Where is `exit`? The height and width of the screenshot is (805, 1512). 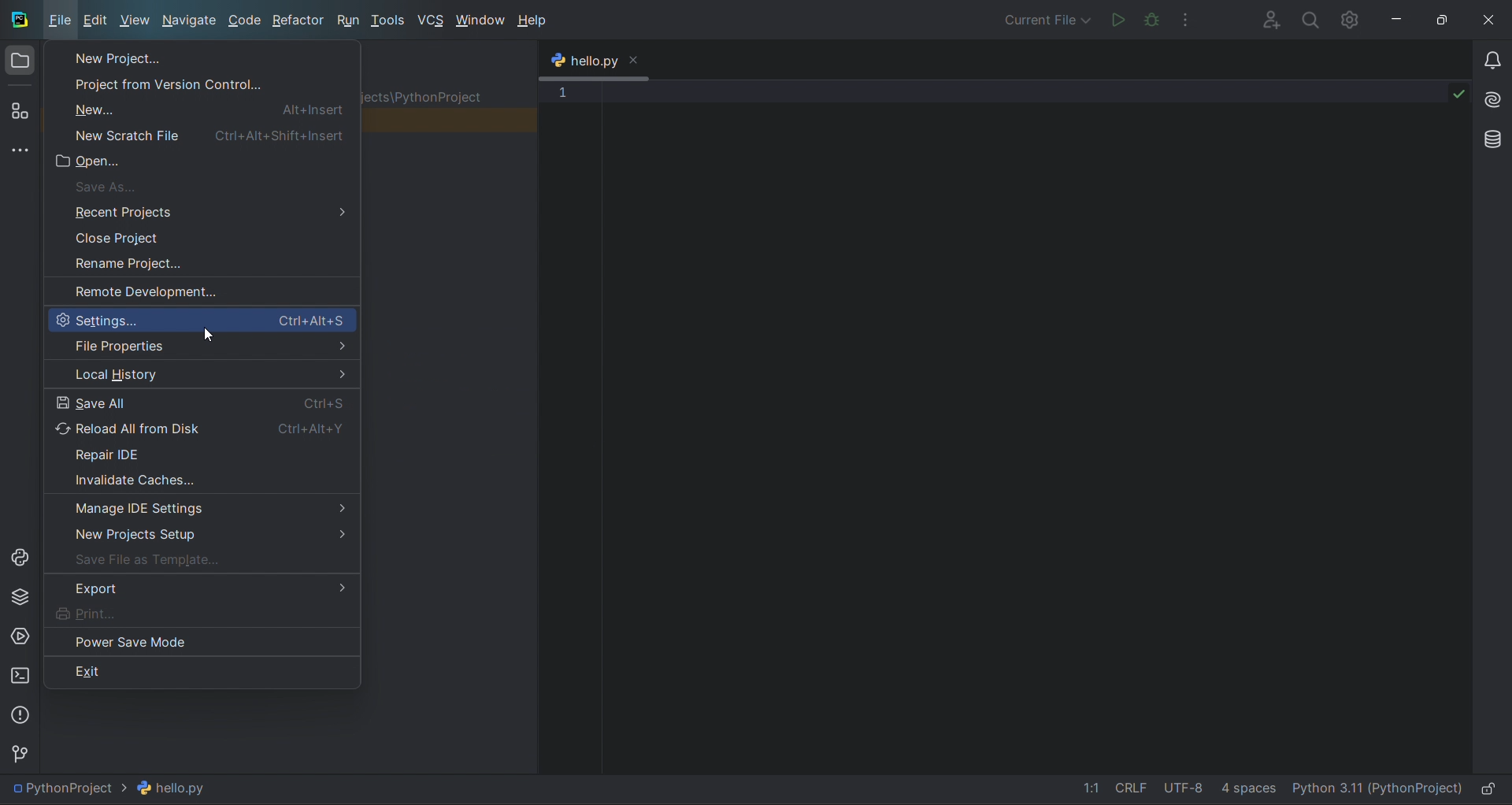 exit is located at coordinates (198, 671).